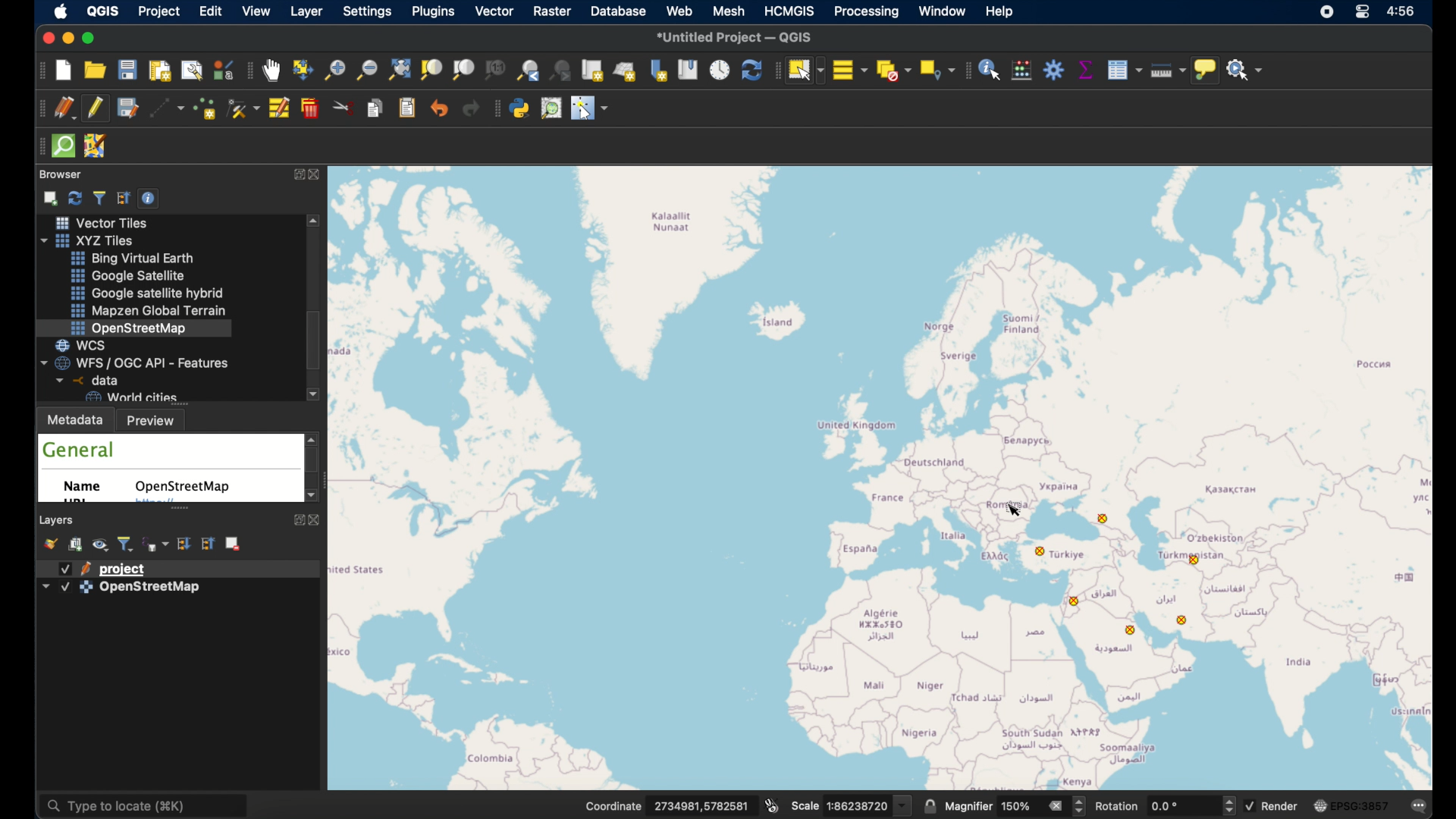 The height and width of the screenshot is (819, 1456). Describe the element at coordinates (1129, 631) in the screenshot. I see `point feature` at that location.